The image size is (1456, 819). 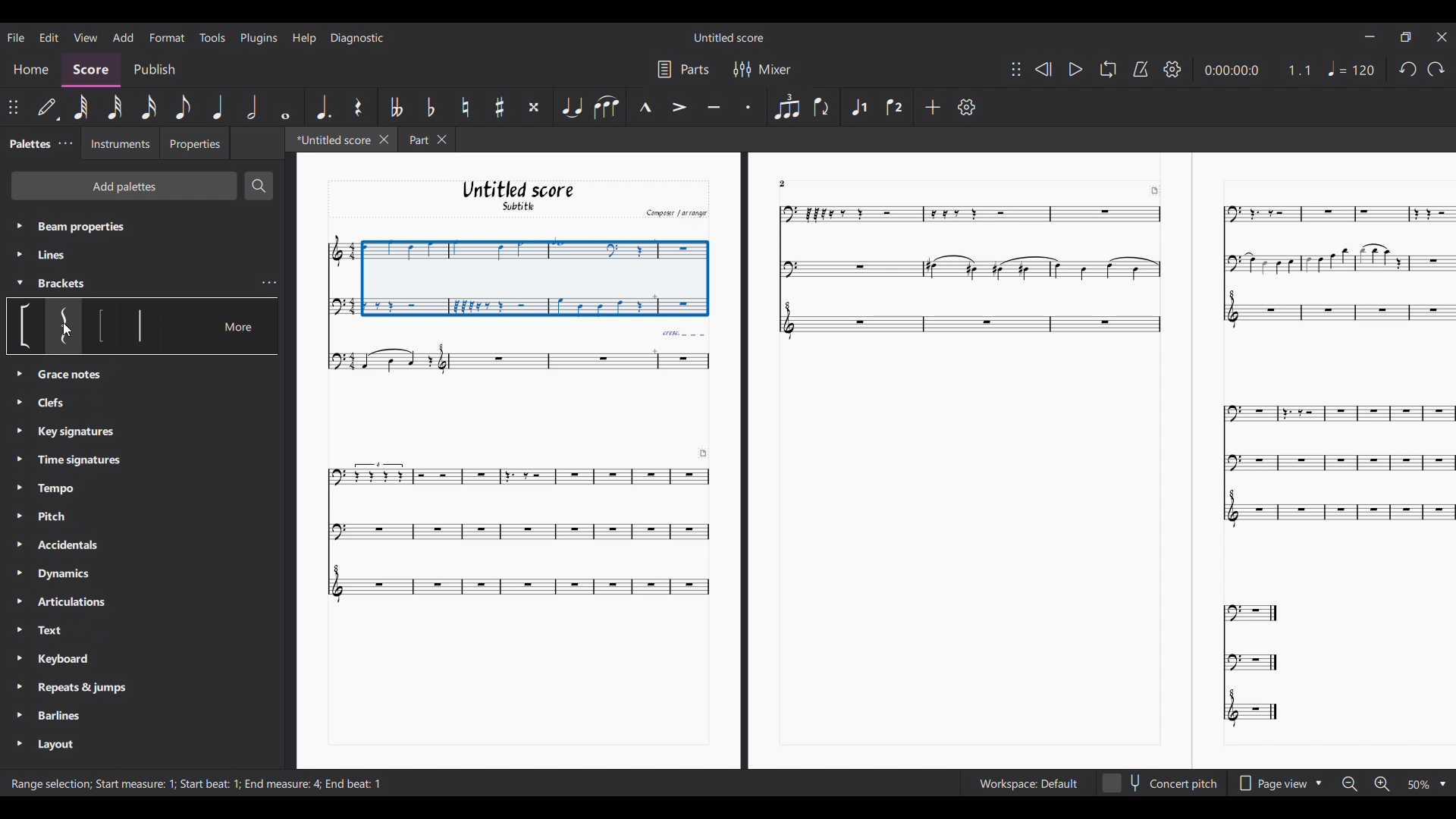 I want to click on Slur, so click(x=607, y=107).